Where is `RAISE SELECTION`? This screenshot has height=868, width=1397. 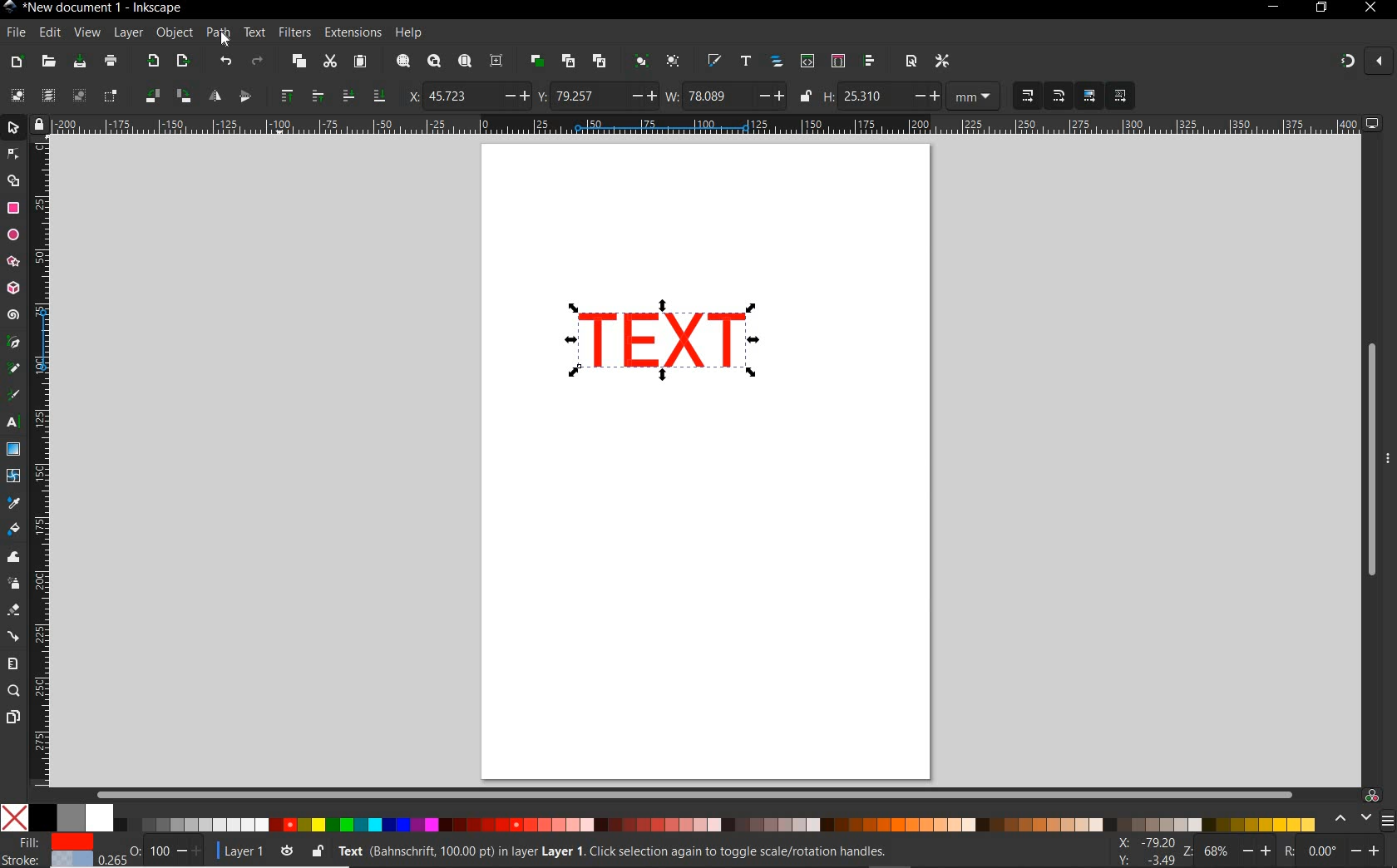
RAISE SELECTION is located at coordinates (297, 95).